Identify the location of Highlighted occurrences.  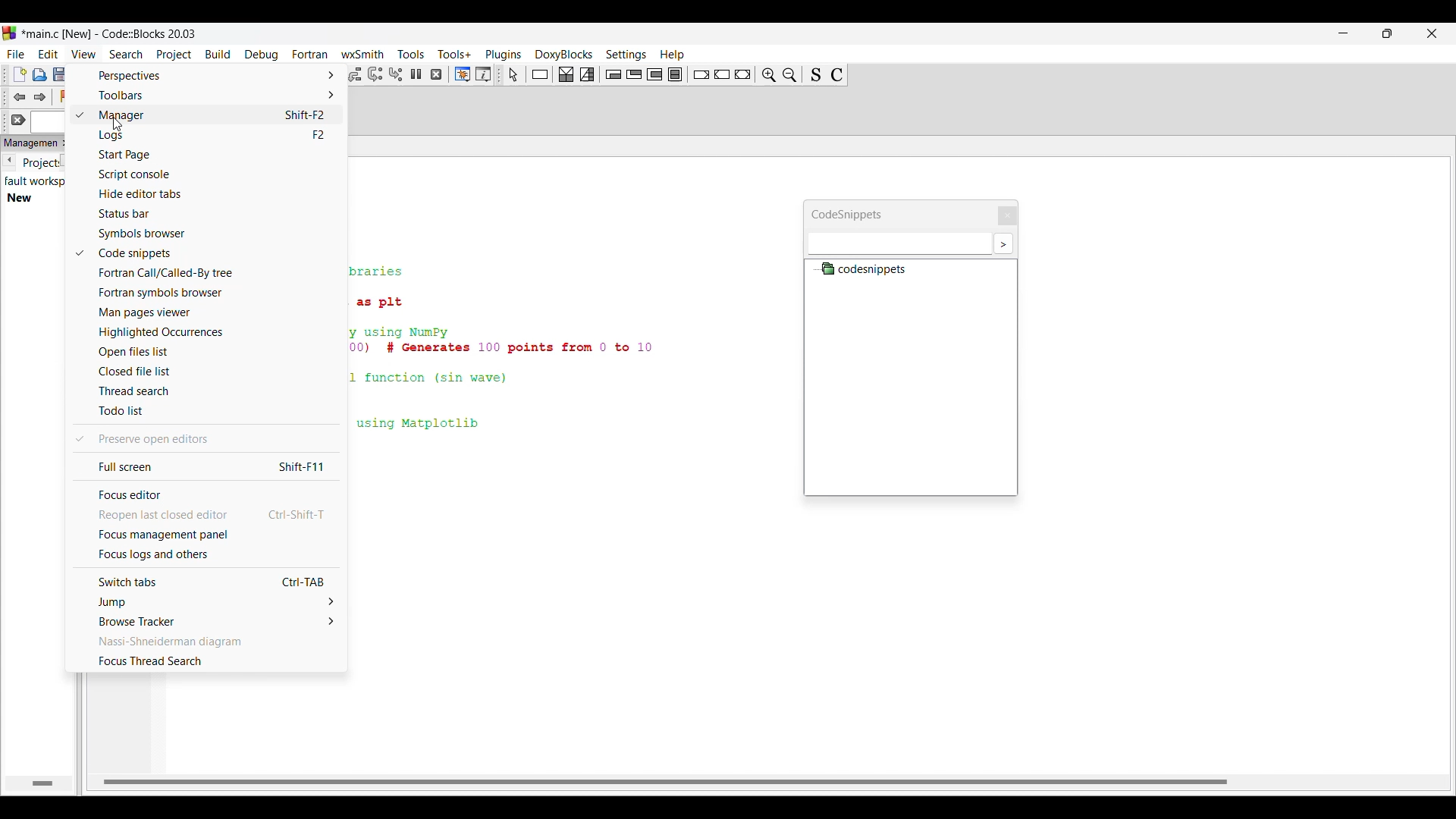
(213, 332).